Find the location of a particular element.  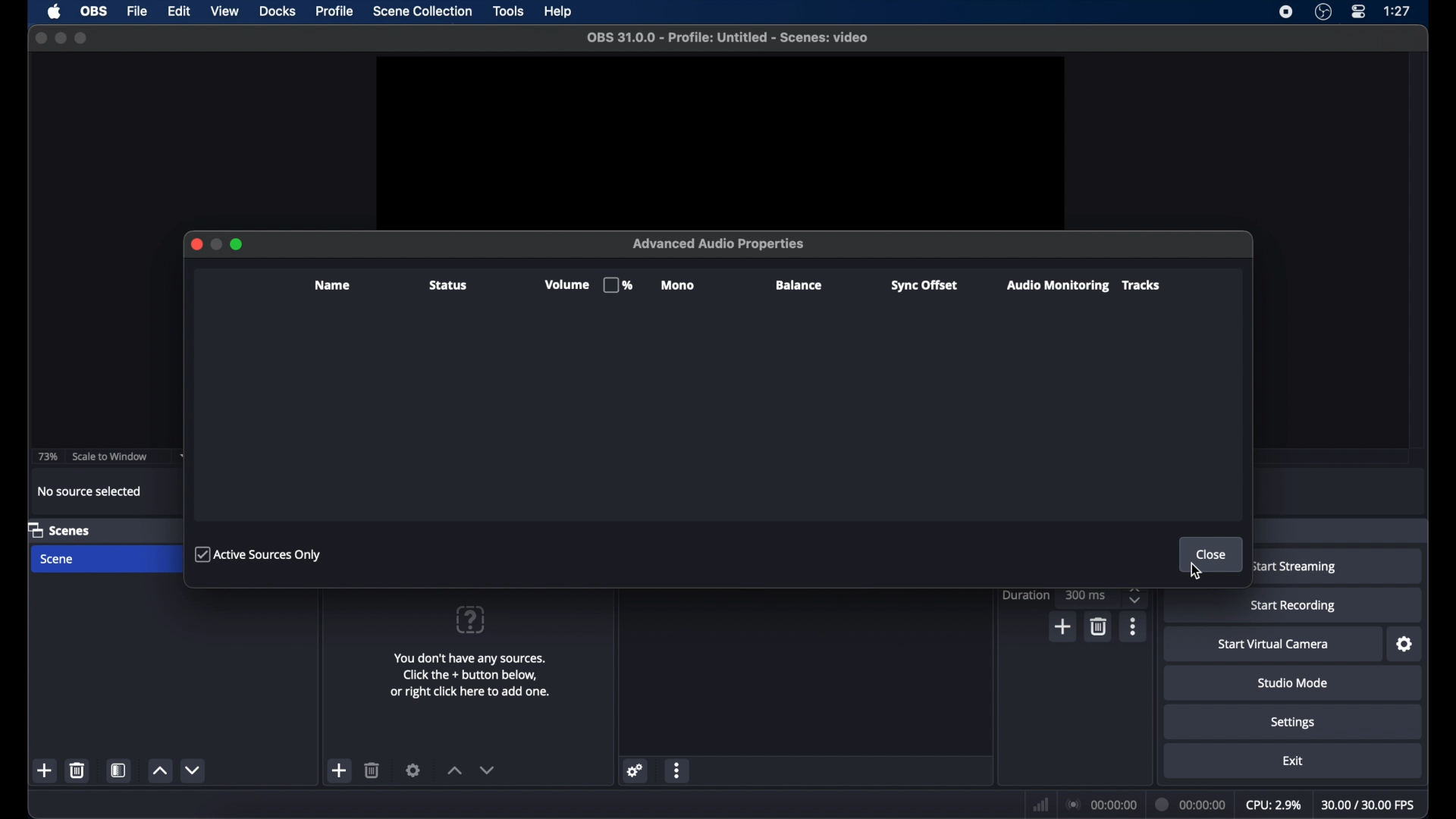

no source selected is located at coordinates (92, 491).